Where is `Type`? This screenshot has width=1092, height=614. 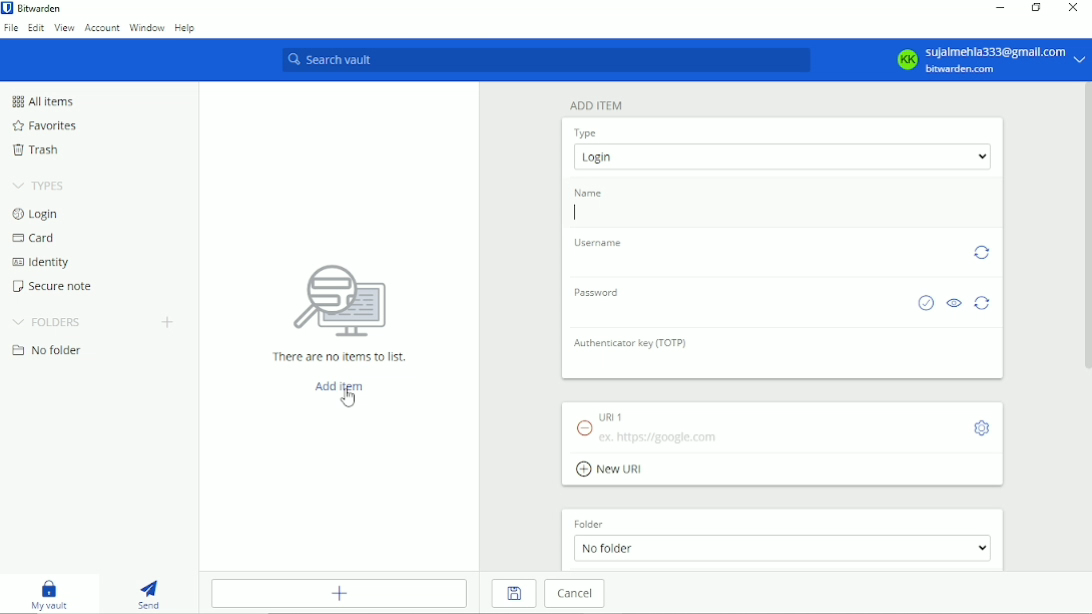
Type is located at coordinates (586, 132).